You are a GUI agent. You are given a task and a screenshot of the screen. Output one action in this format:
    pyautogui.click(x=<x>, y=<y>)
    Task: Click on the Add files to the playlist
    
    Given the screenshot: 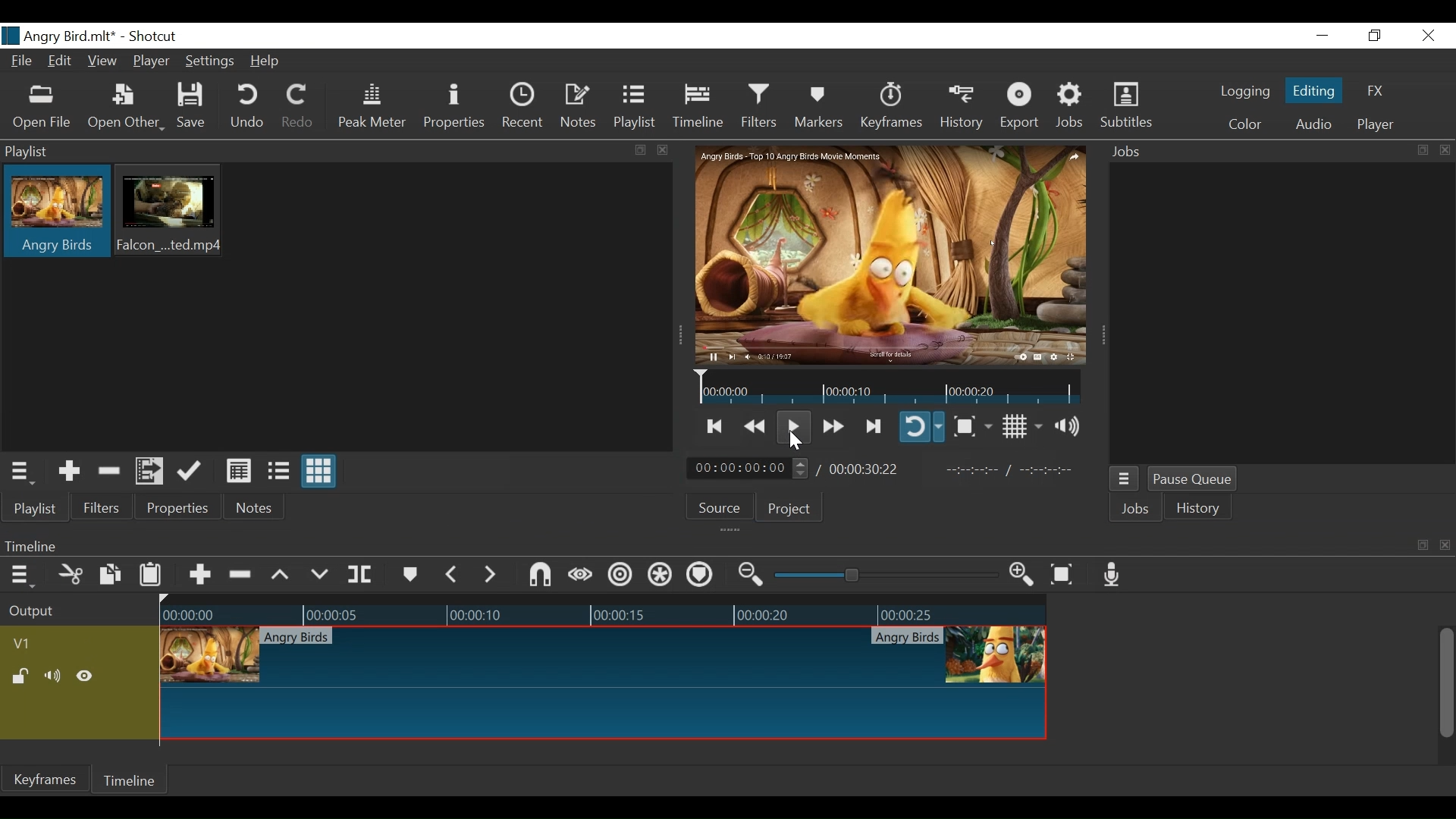 What is the action you would take?
    pyautogui.click(x=151, y=472)
    